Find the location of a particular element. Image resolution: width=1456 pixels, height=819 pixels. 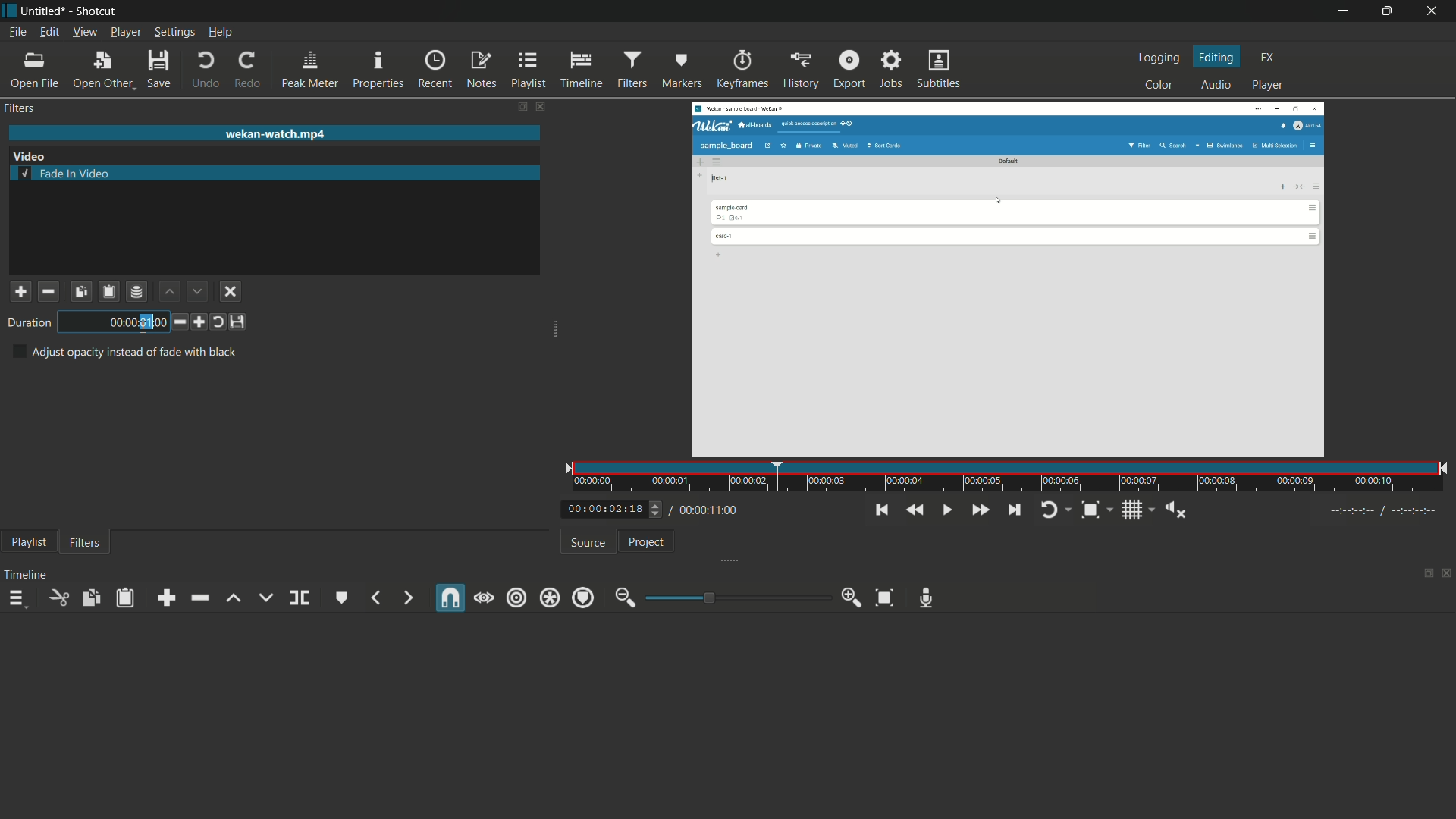

text cursor is located at coordinates (146, 325).